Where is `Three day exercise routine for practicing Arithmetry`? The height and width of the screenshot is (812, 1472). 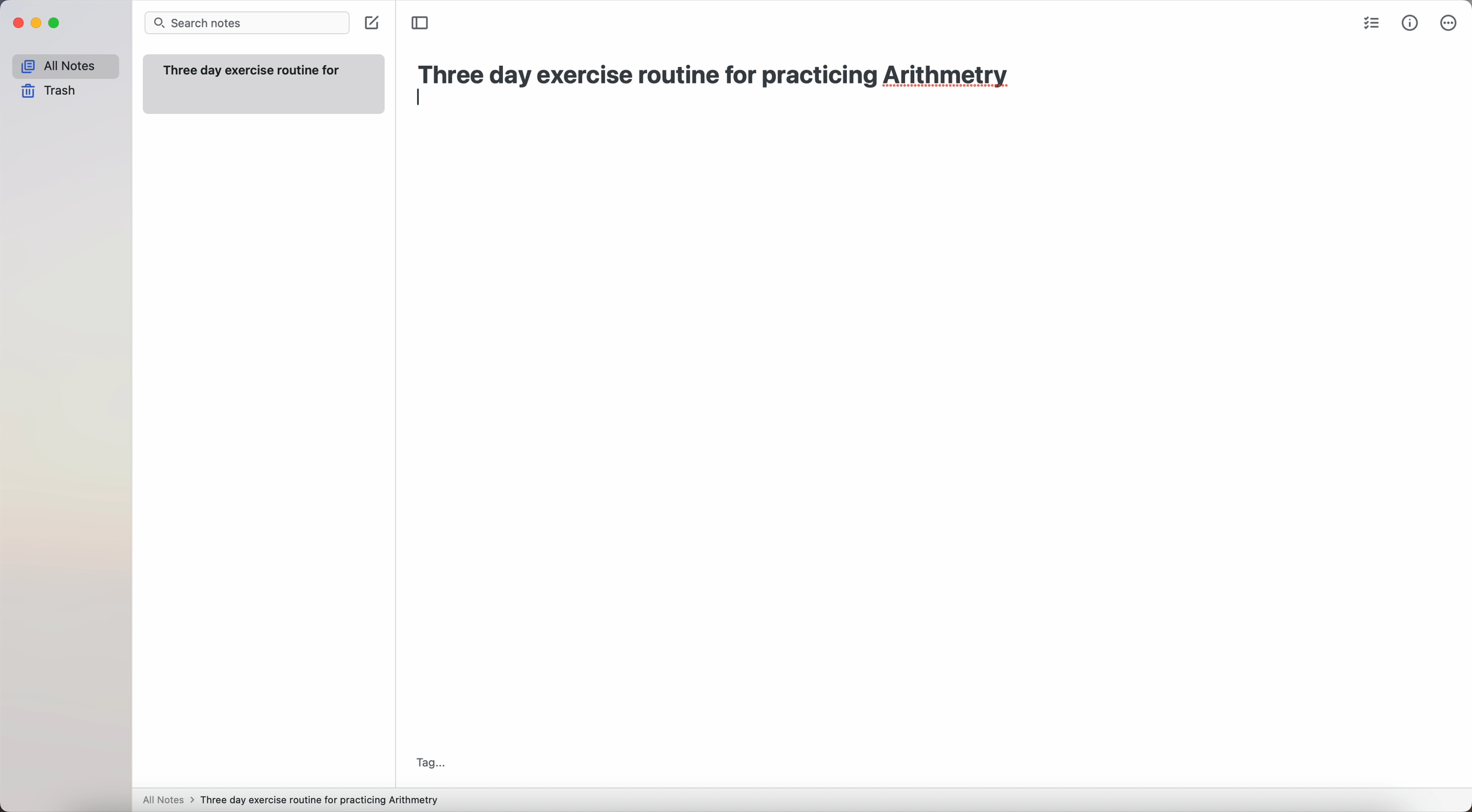 Three day exercise routine for practicing Arithmetry is located at coordinates (724, 78).